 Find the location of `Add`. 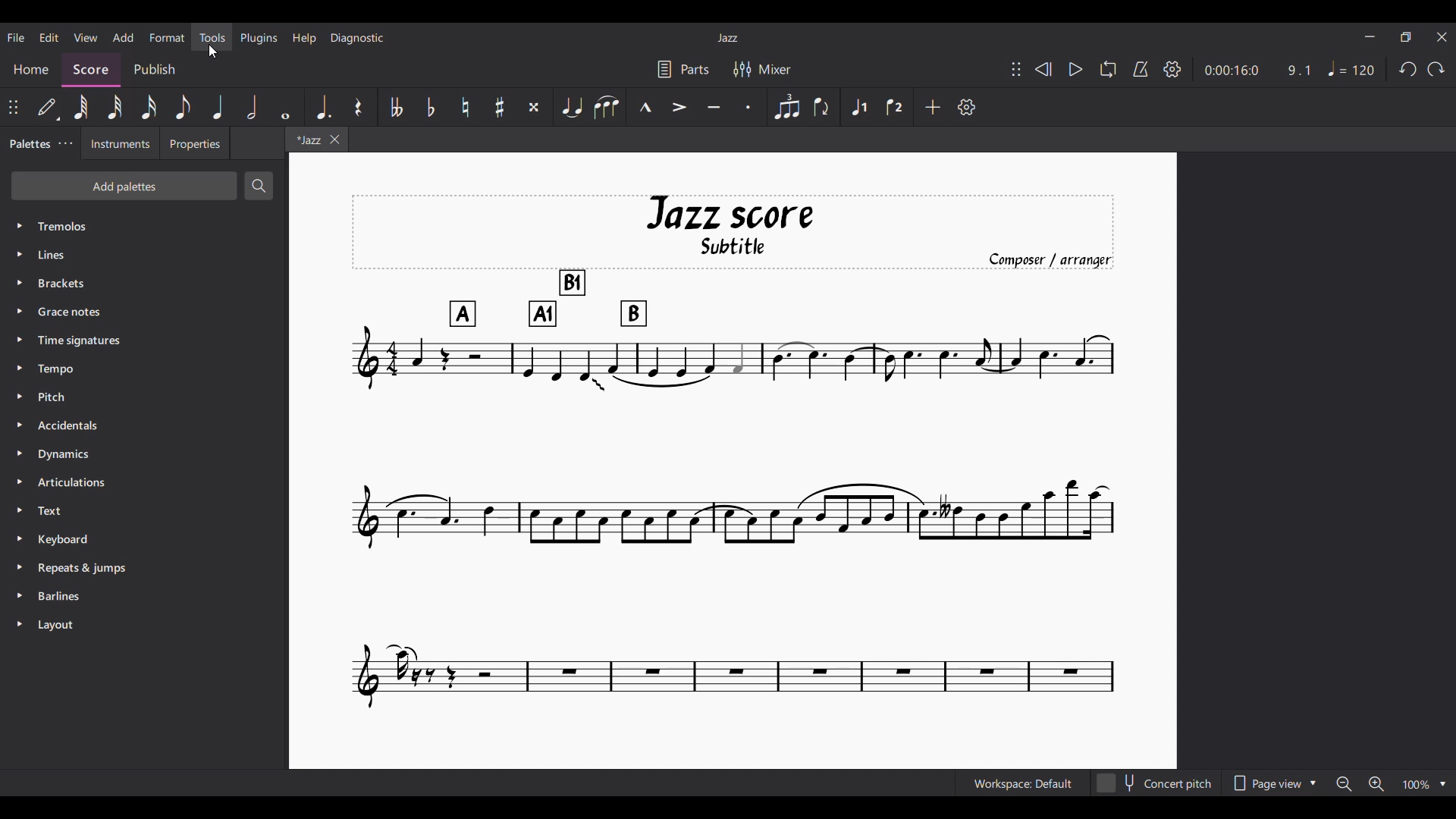

Add is located at coordinates (934, 107).